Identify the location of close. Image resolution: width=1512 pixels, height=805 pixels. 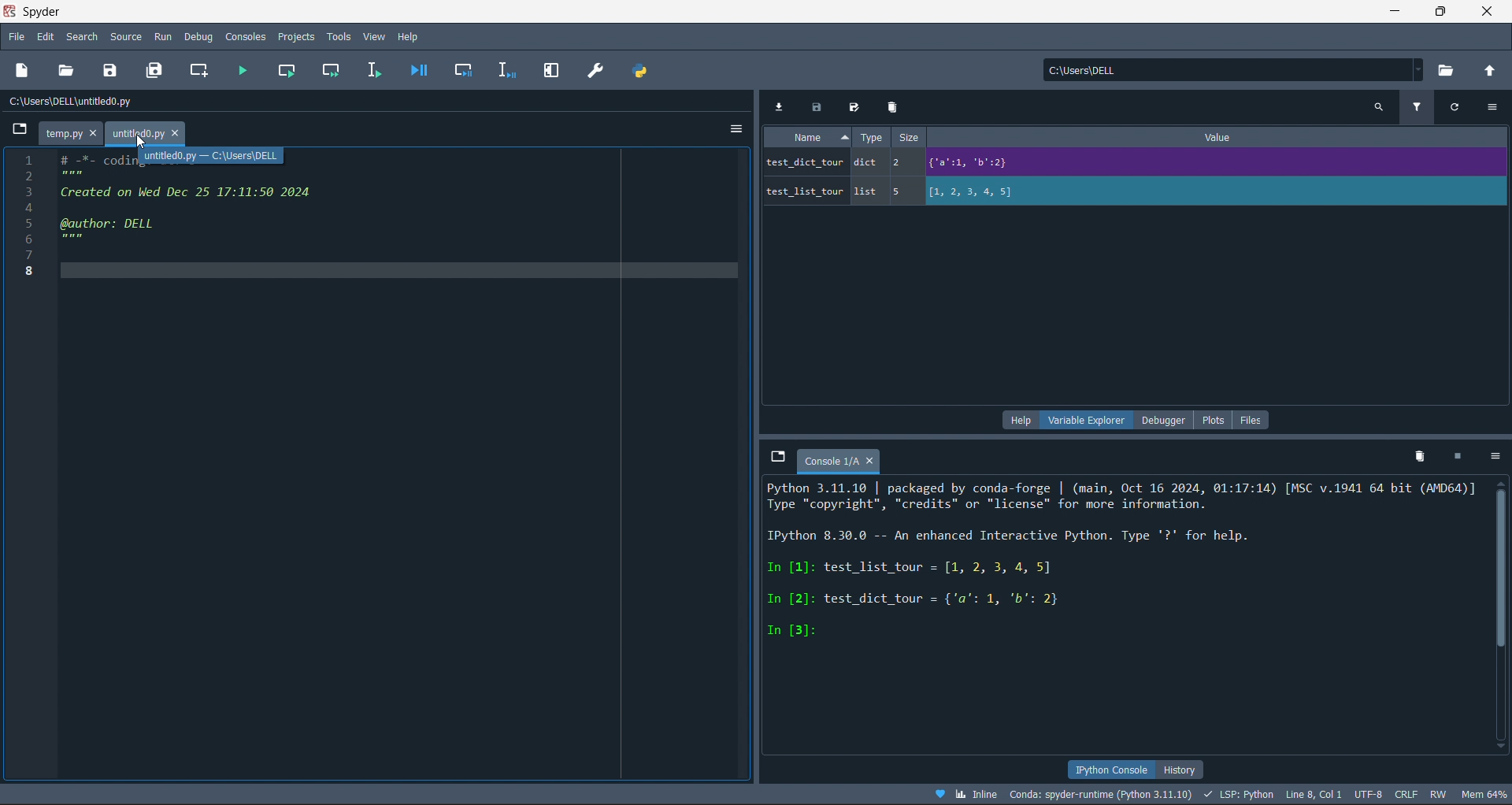
(1485, 12).